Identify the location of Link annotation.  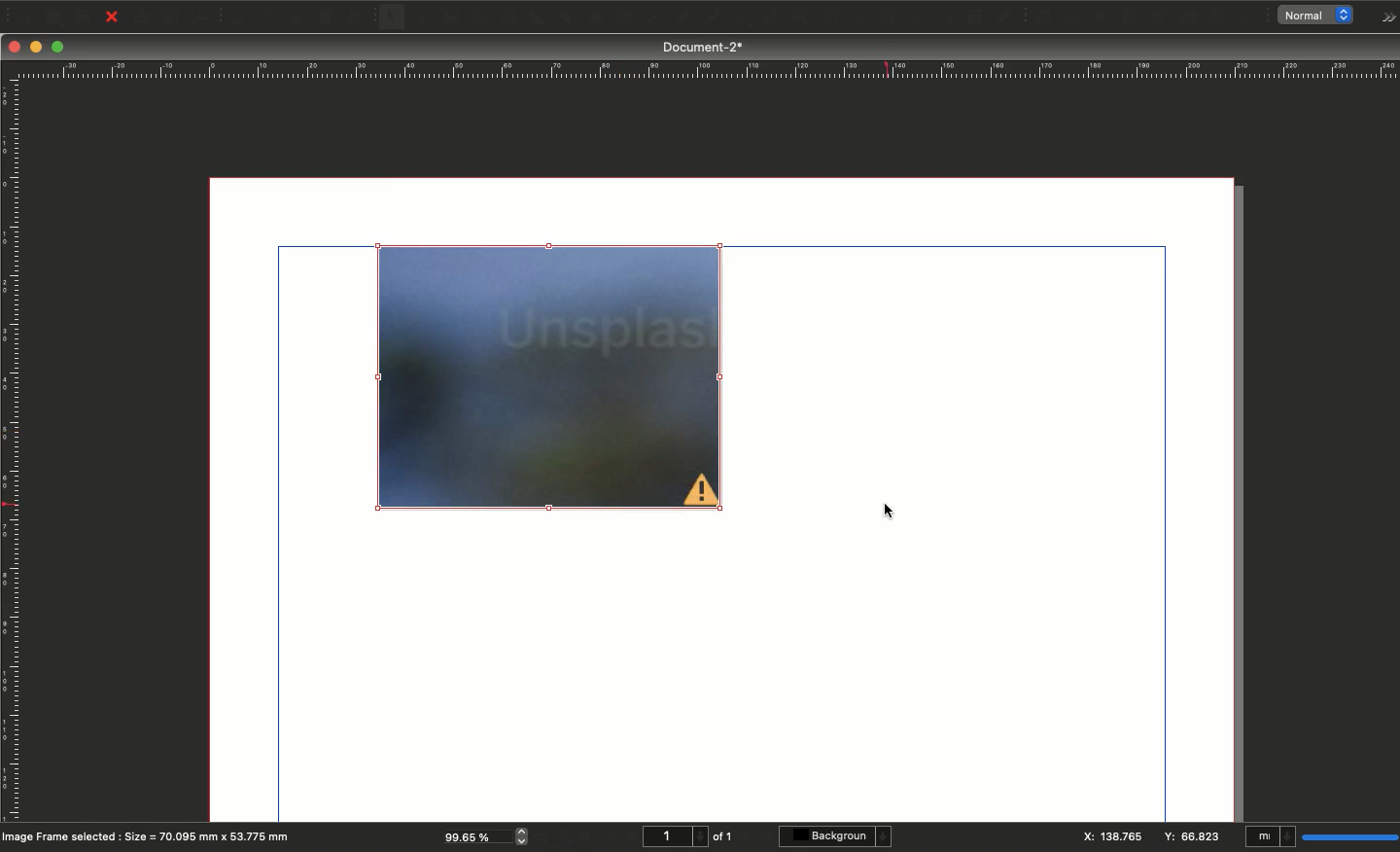
(1250, 18).